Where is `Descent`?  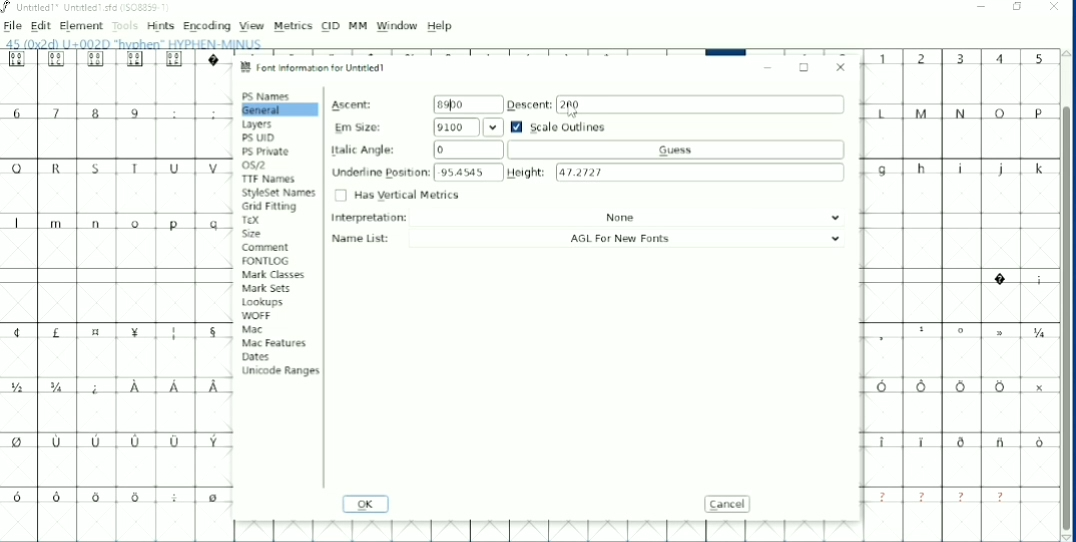
Descent is located at coordinates (675, 104).